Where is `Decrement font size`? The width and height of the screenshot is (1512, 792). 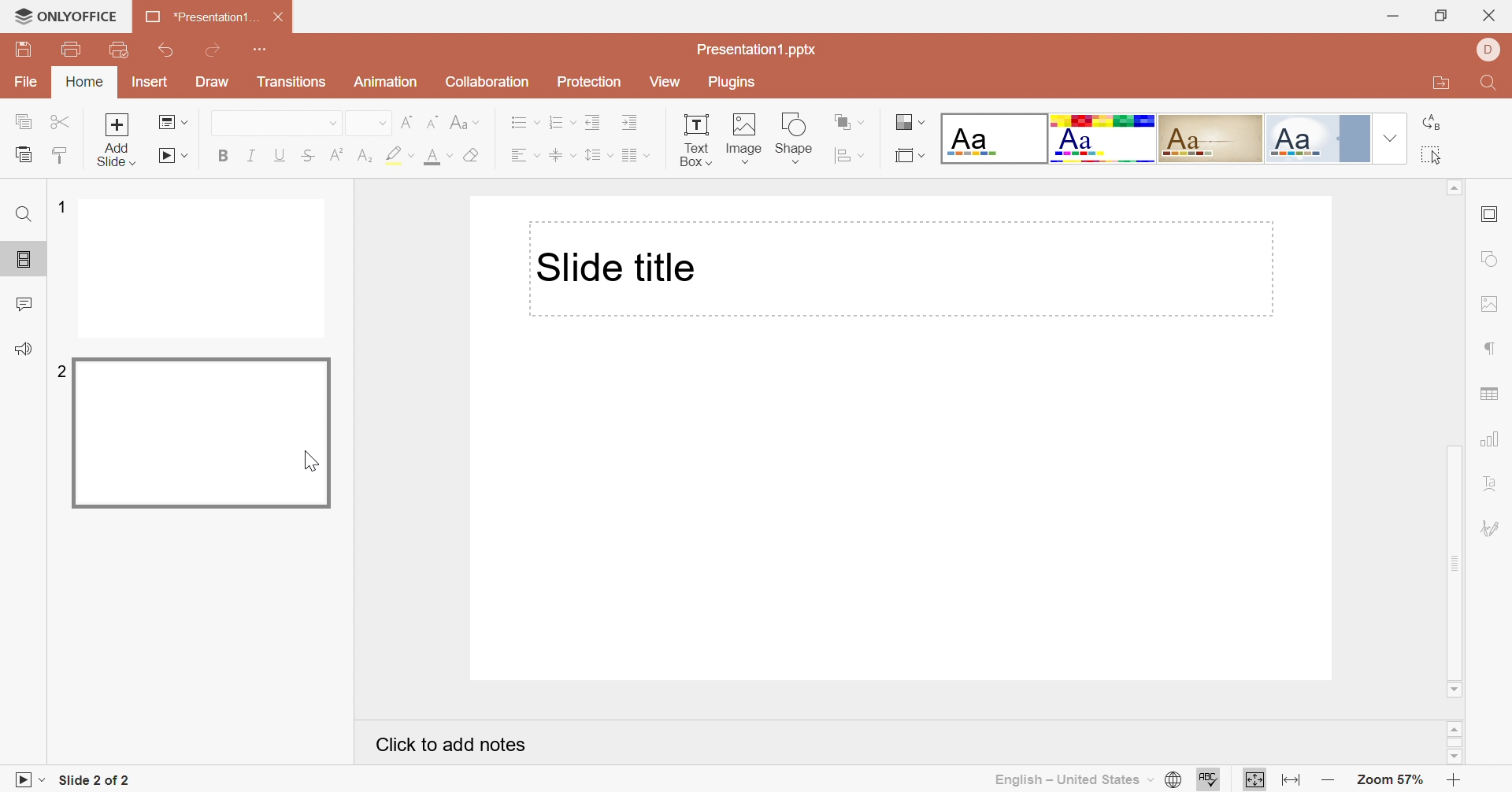 Decrement font size is located at coordinates (433, 121).